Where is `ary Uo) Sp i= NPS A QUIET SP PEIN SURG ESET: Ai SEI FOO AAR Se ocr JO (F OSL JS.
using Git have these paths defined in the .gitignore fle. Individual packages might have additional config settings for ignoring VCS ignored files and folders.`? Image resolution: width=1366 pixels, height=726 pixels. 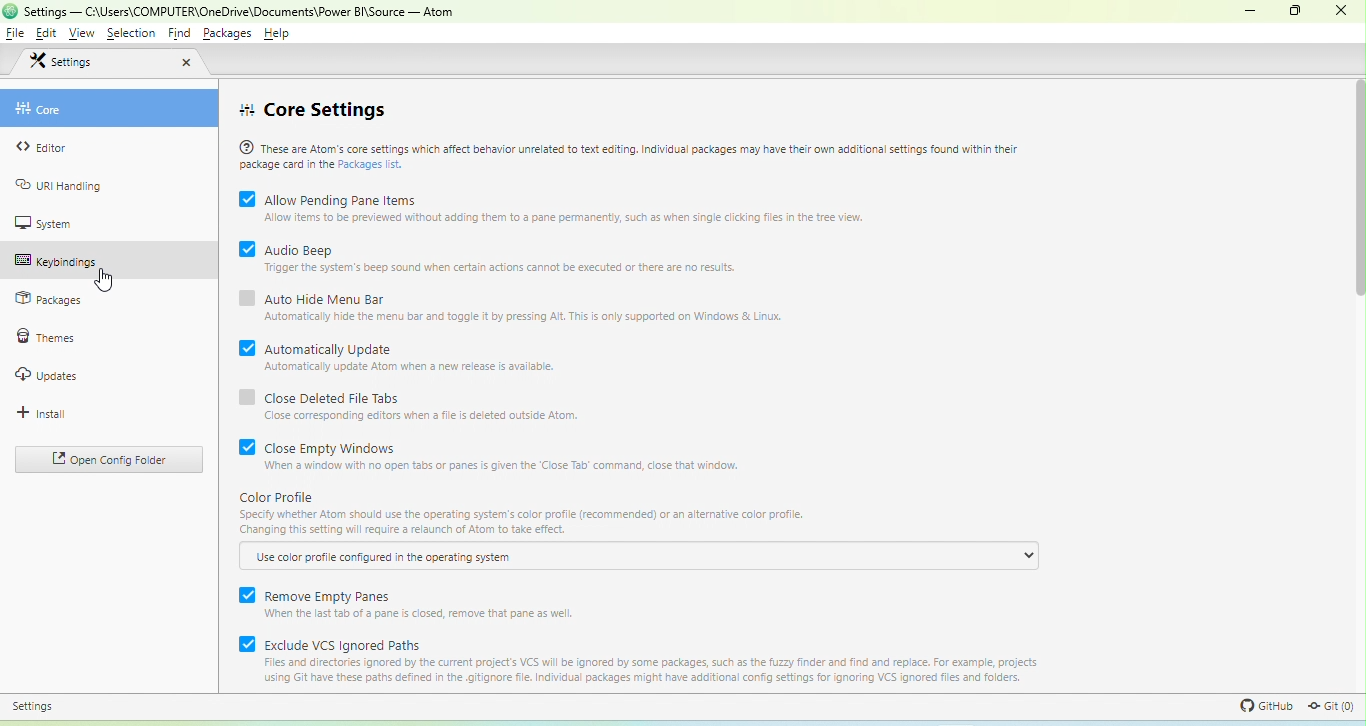
ary Uo) Sp i= NPS A QUIET SP PEIN SURG ESET: Ai SEI FOO AAR Se ocr JO (F OSL JS.
using Git have these paths defined in the .gitignore fle. Individual packages might have additional config settings for ignoring VCS ignored files and folders. is located at coordinates (645, 672).